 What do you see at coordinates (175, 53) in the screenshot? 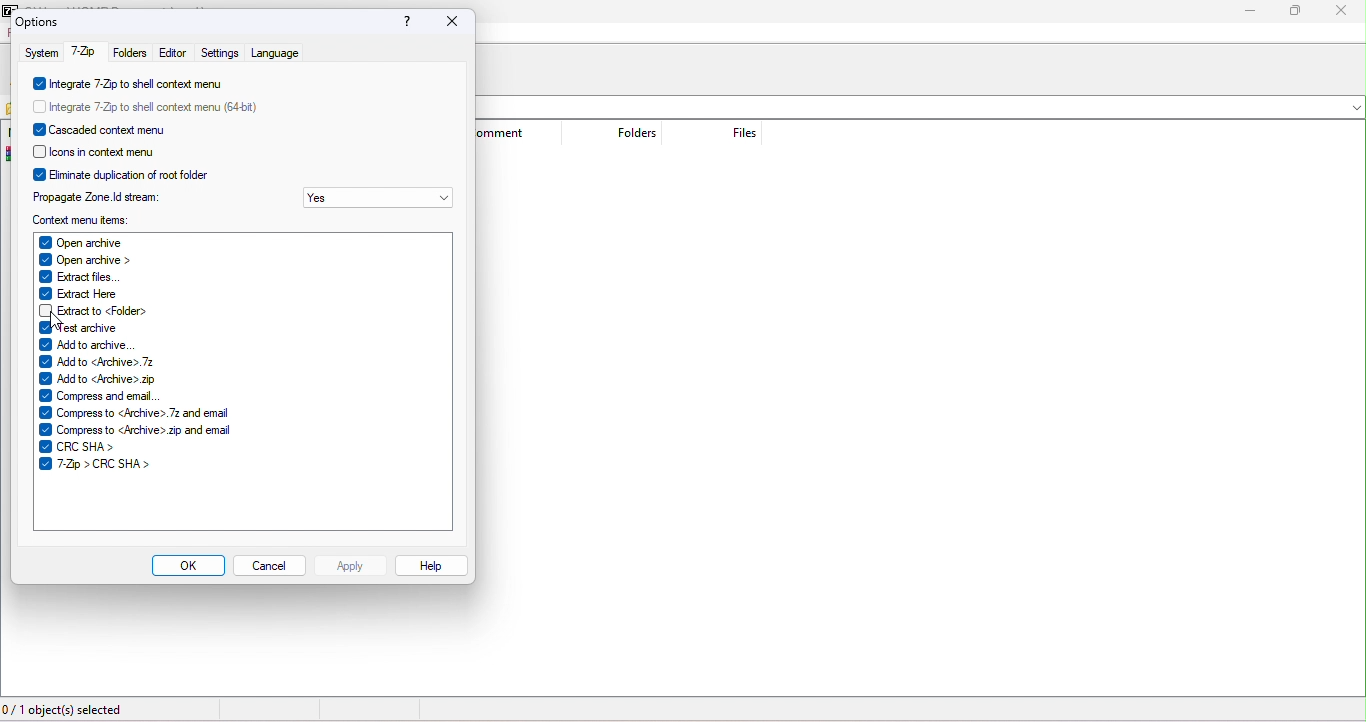
I see `editor` at bounding box center [175, 53].